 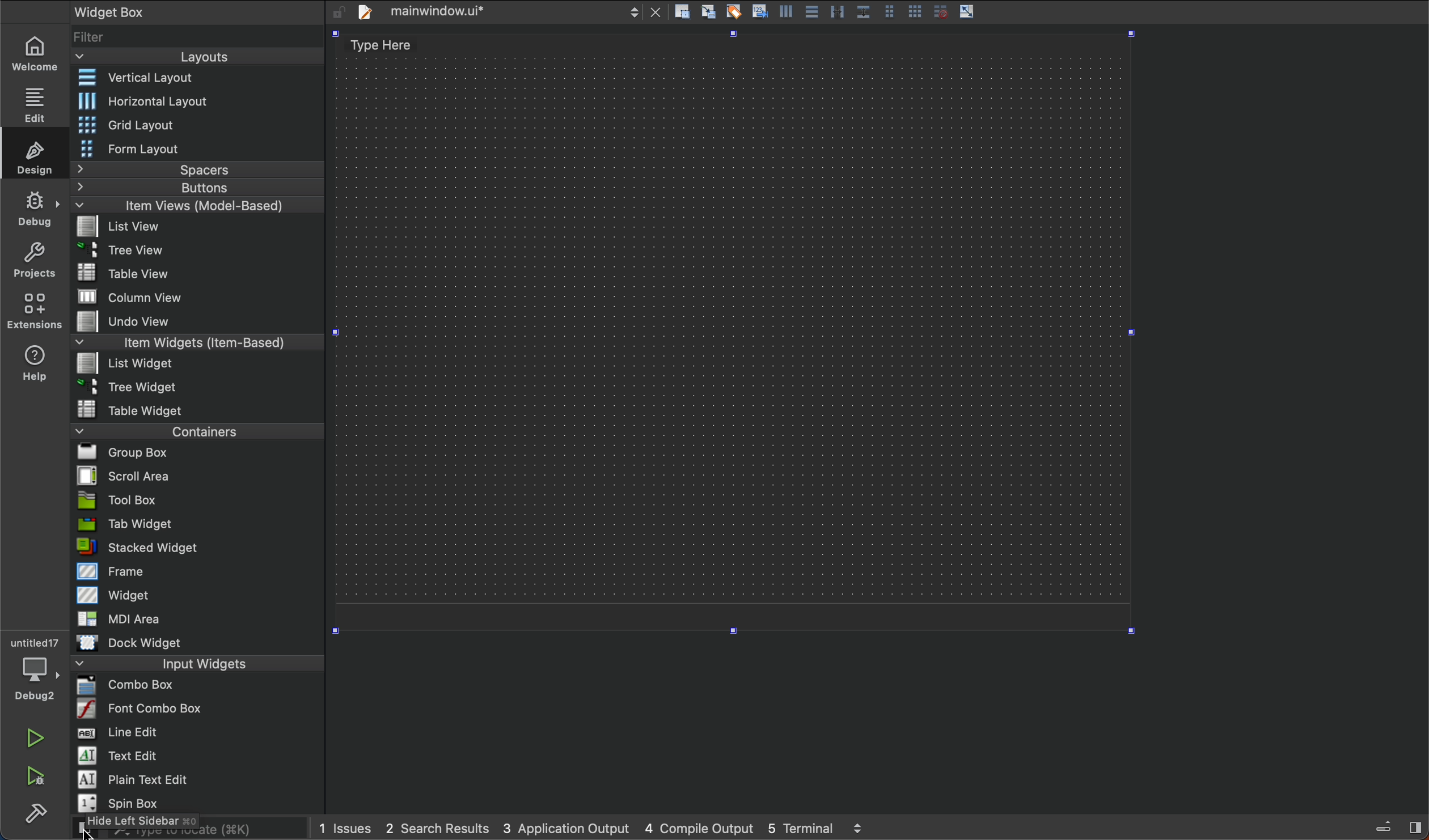 I want to click on , so click(x=761, y=10).